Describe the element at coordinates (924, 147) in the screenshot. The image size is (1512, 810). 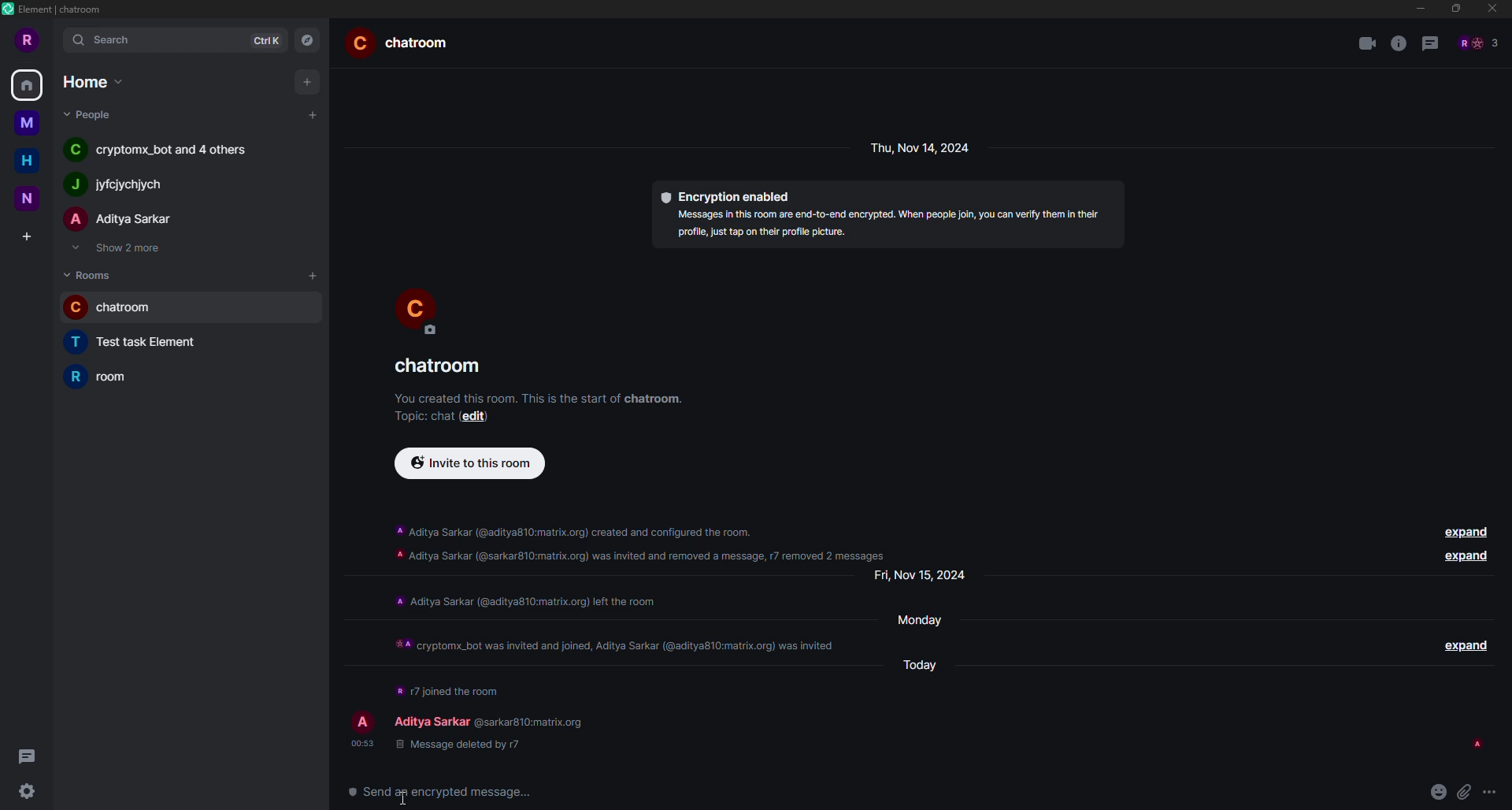
I see `day` at that location.